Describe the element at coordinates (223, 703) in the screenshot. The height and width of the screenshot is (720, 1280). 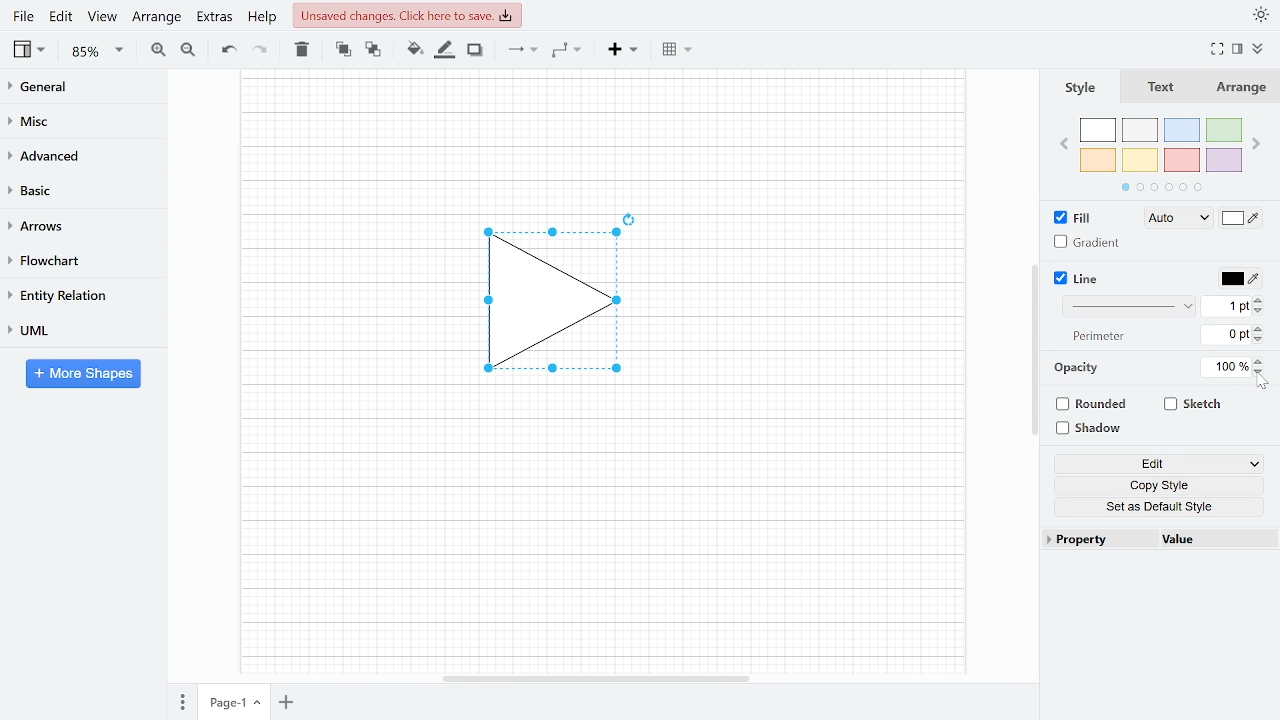
I see `Current page` at that location.